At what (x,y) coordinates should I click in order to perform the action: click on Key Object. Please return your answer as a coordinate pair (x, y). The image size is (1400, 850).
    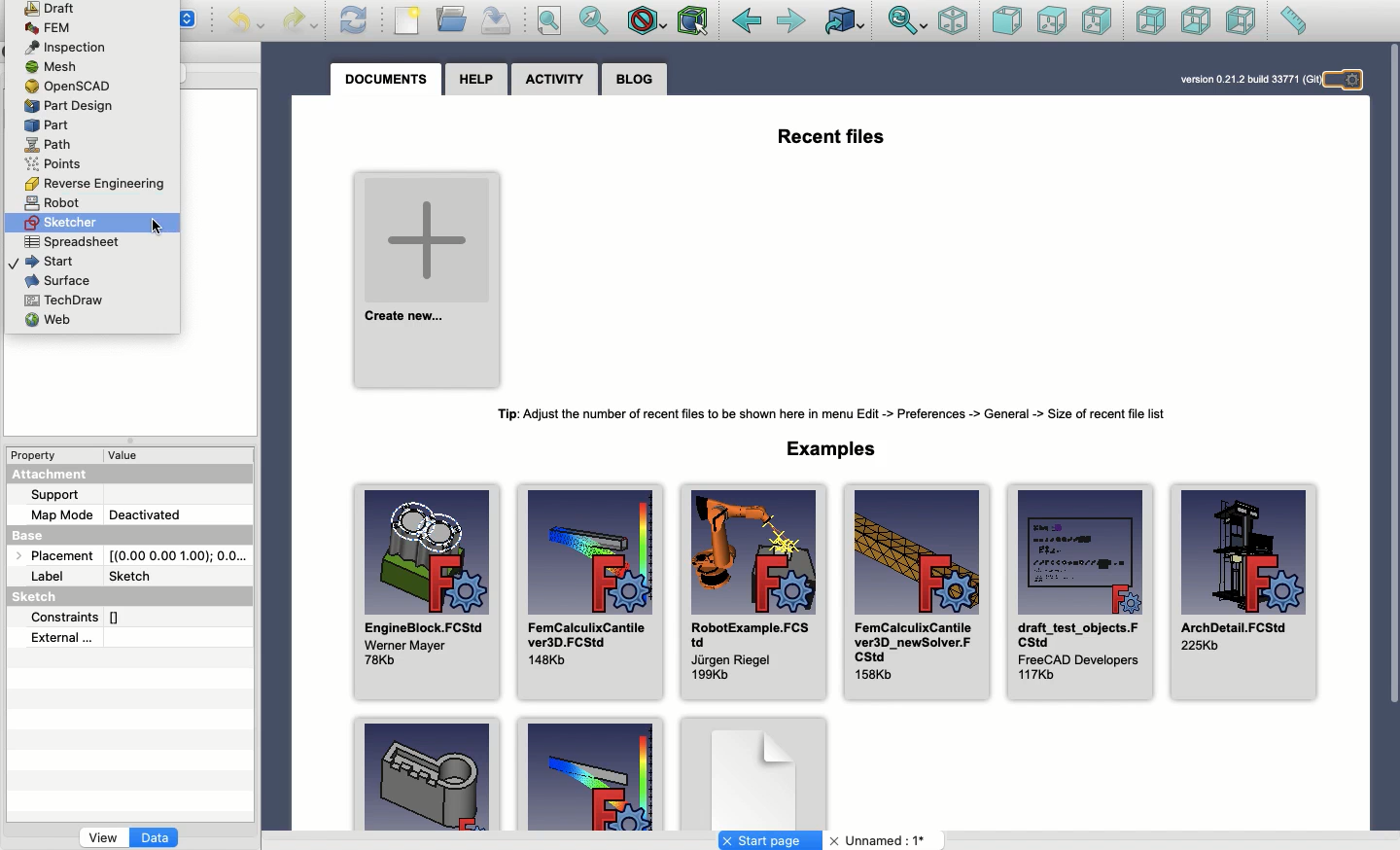
    Looking at the image, I should click on (427, 772).